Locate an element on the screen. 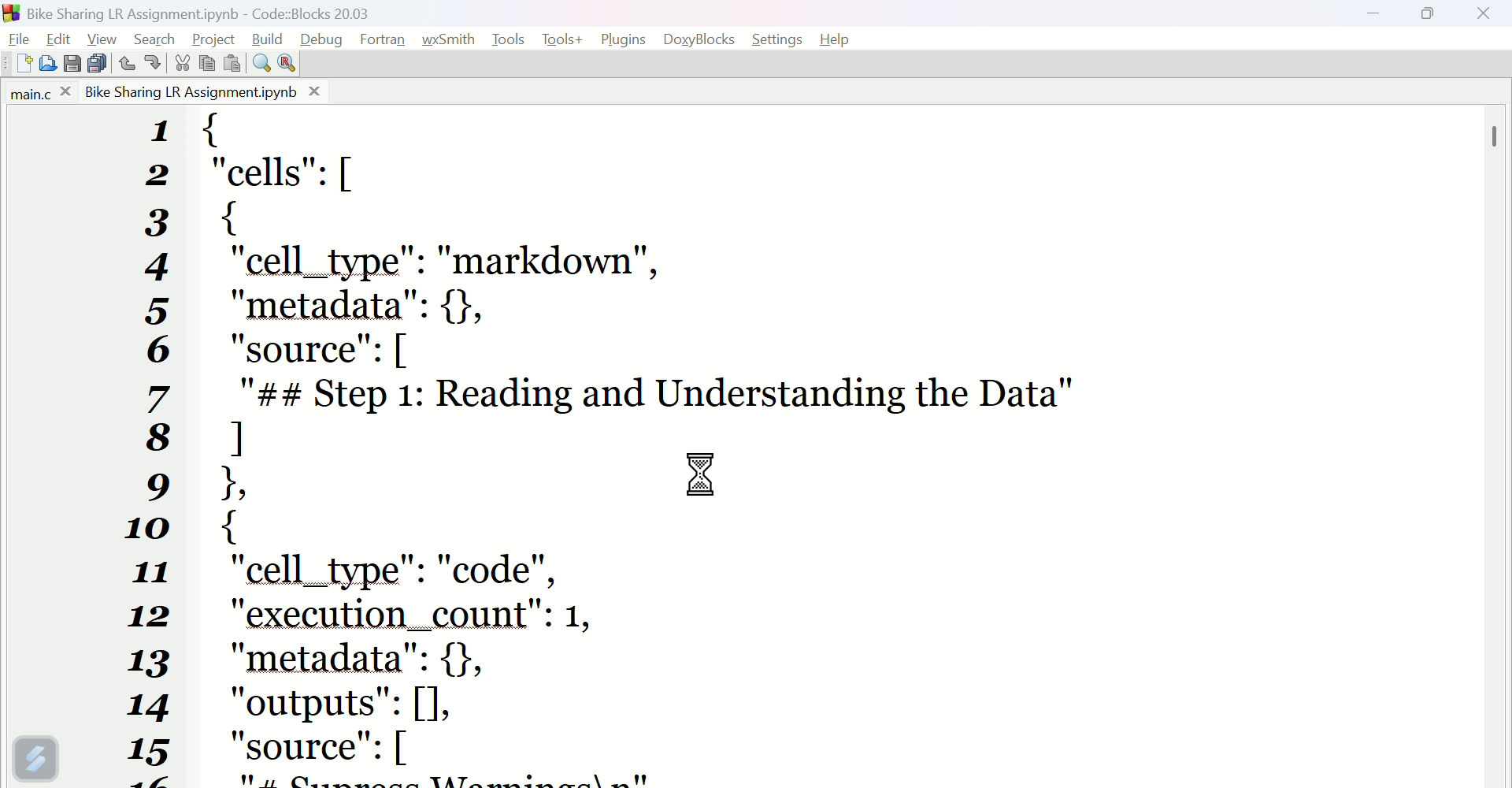  minimise is located at coordinates (1382, 19).